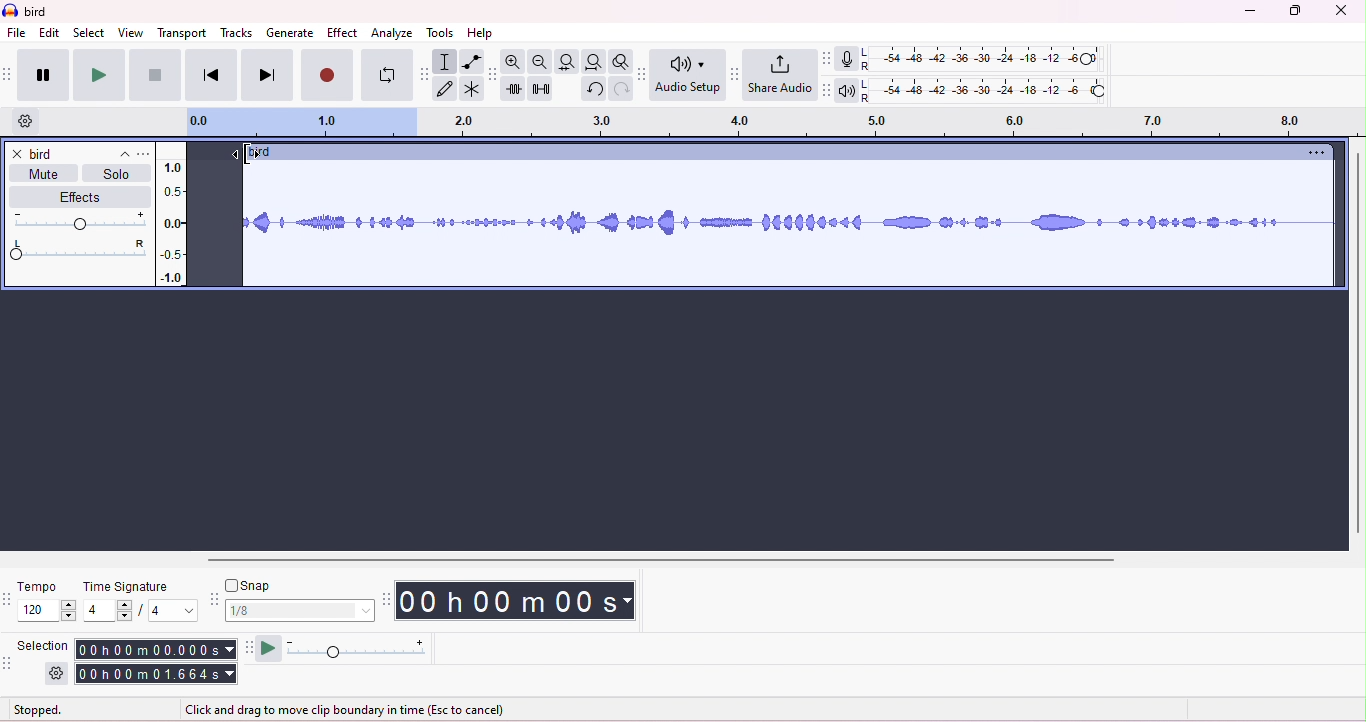 The height and width of the screenshot is (722, 1366). What do you see at coordinates (46, 644) in the screenshot?
I see `selection` at bounding box center [46, 644].